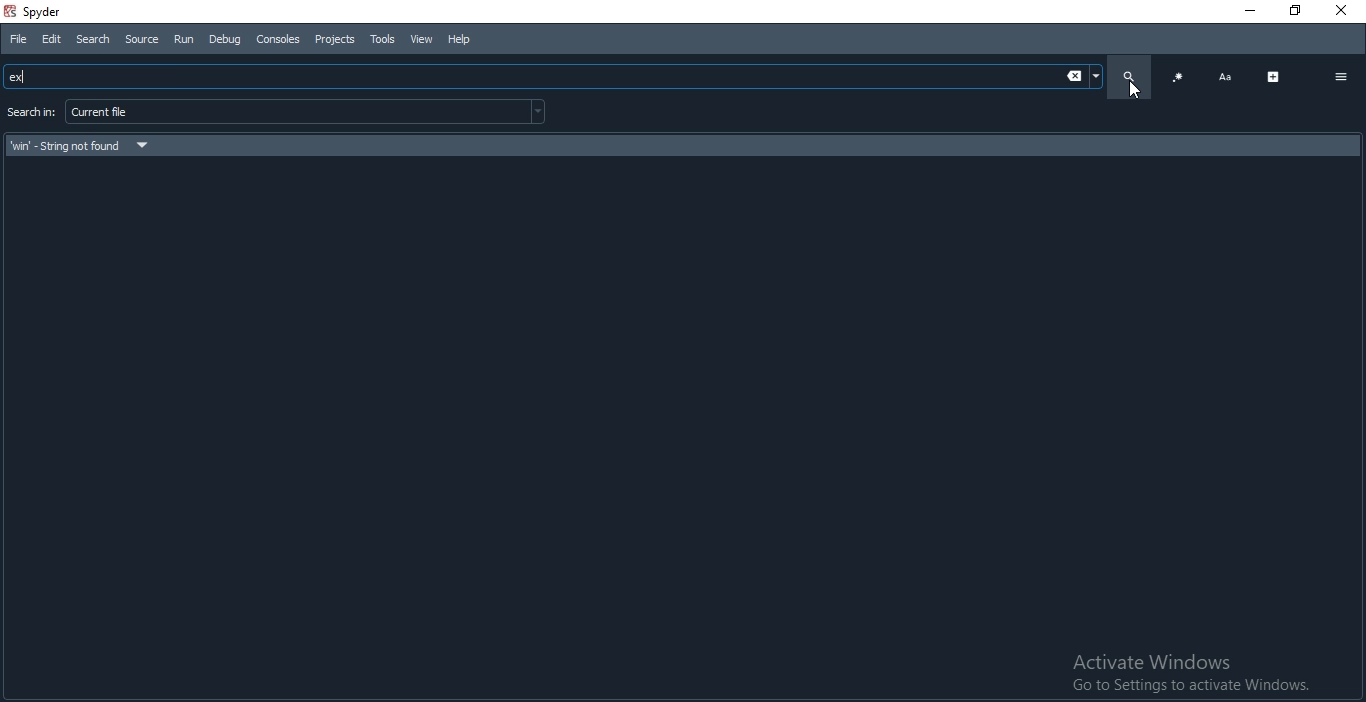 This screenshot has height=702, width=1366. What do you see at coordinates (1273, 75) in the screenshot?
I see `expand` at bounding box center [1273, 75].